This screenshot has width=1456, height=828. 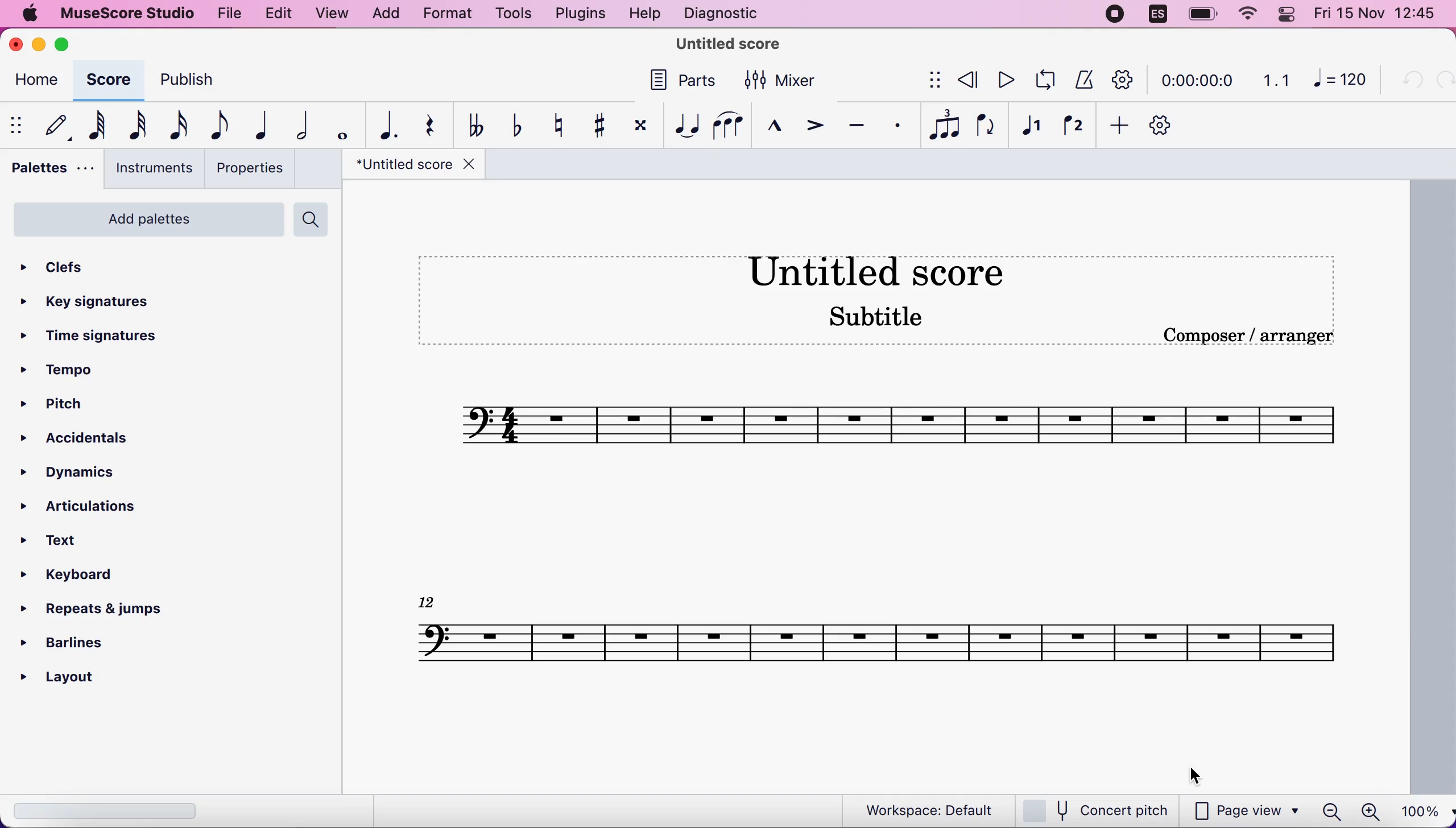 What do you see at coordinates (84, 337) in the screenshot?
I see `ime signatures` at bounding box center [84, 337].